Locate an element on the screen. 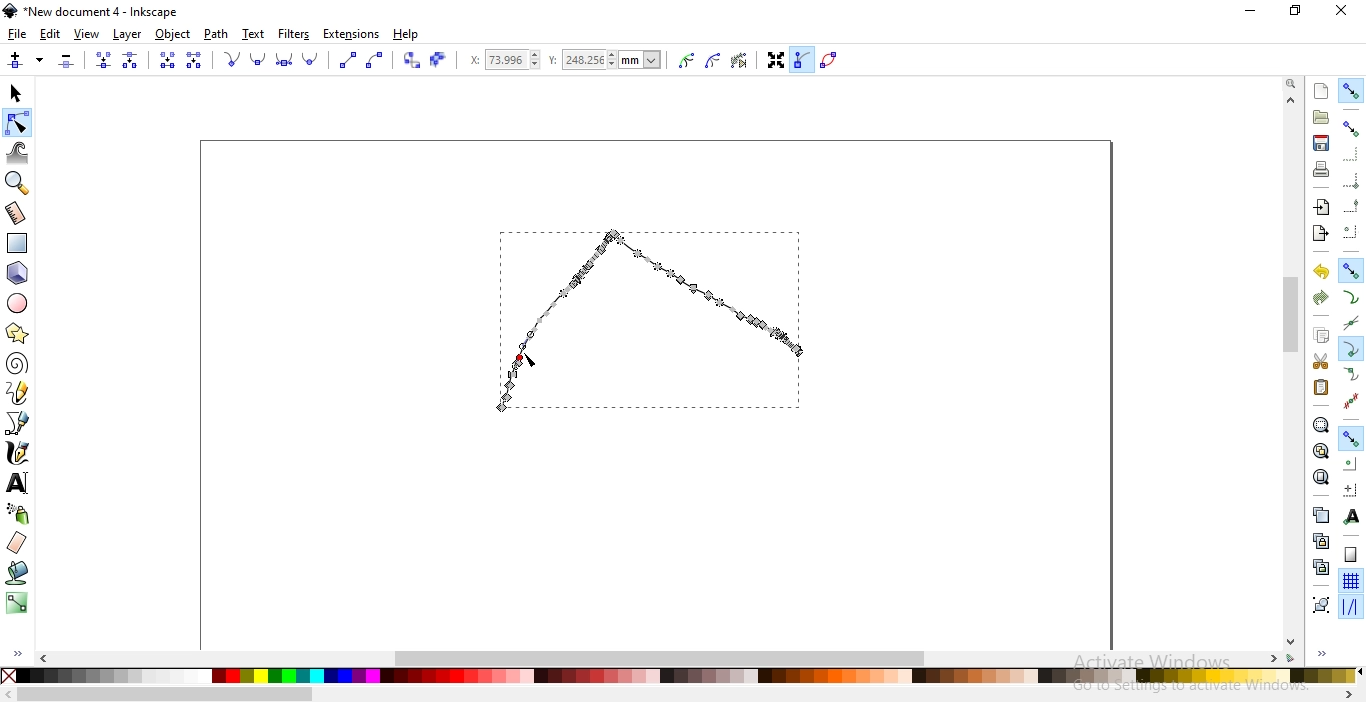 This screenshot has height=702, width=1366. convert selected objects strokes to paths is located at coordinates (437, 60).